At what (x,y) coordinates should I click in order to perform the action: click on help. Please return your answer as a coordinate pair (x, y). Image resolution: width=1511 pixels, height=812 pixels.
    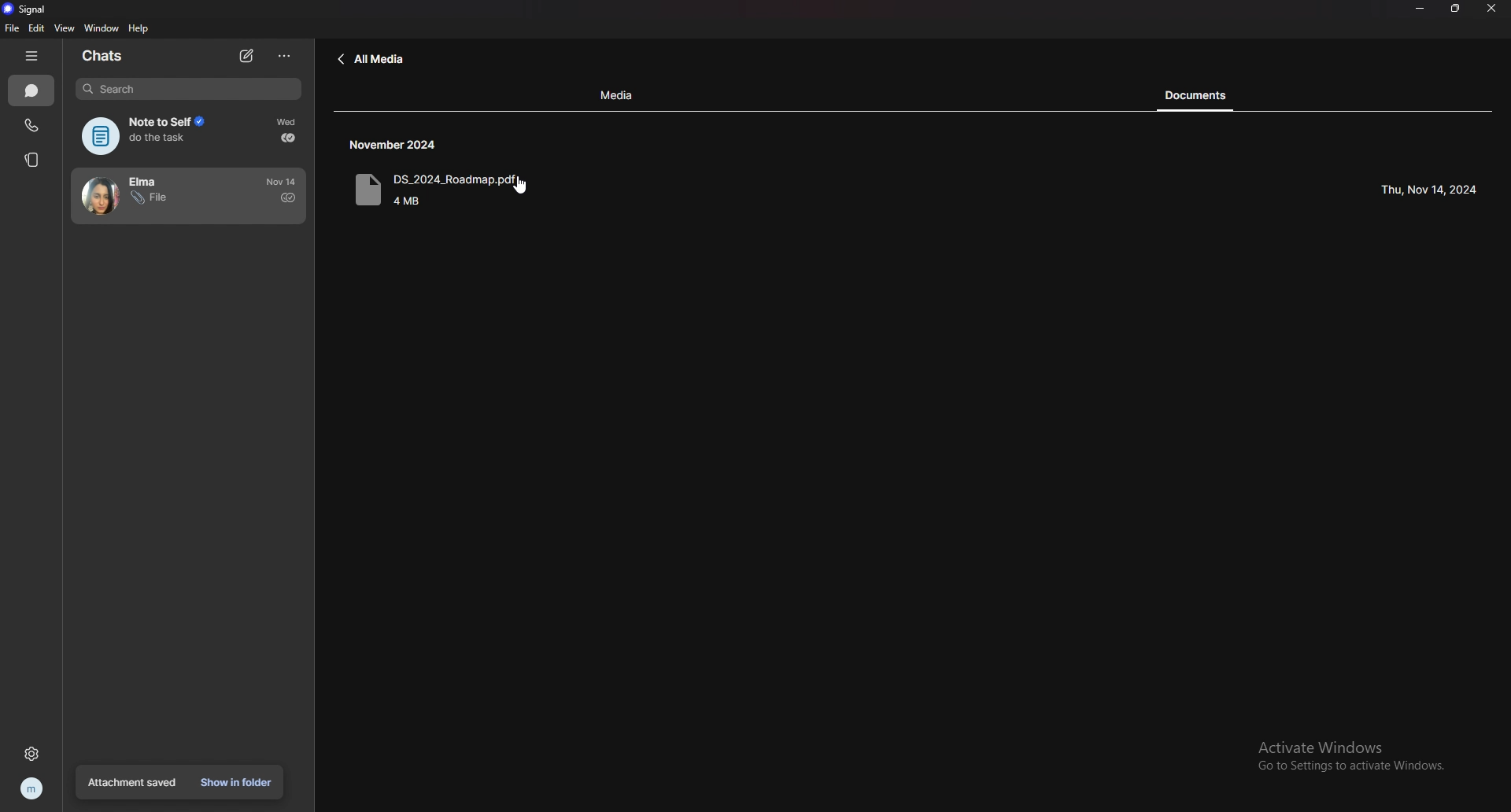
    Looking at the image, I should click on (138, 30).